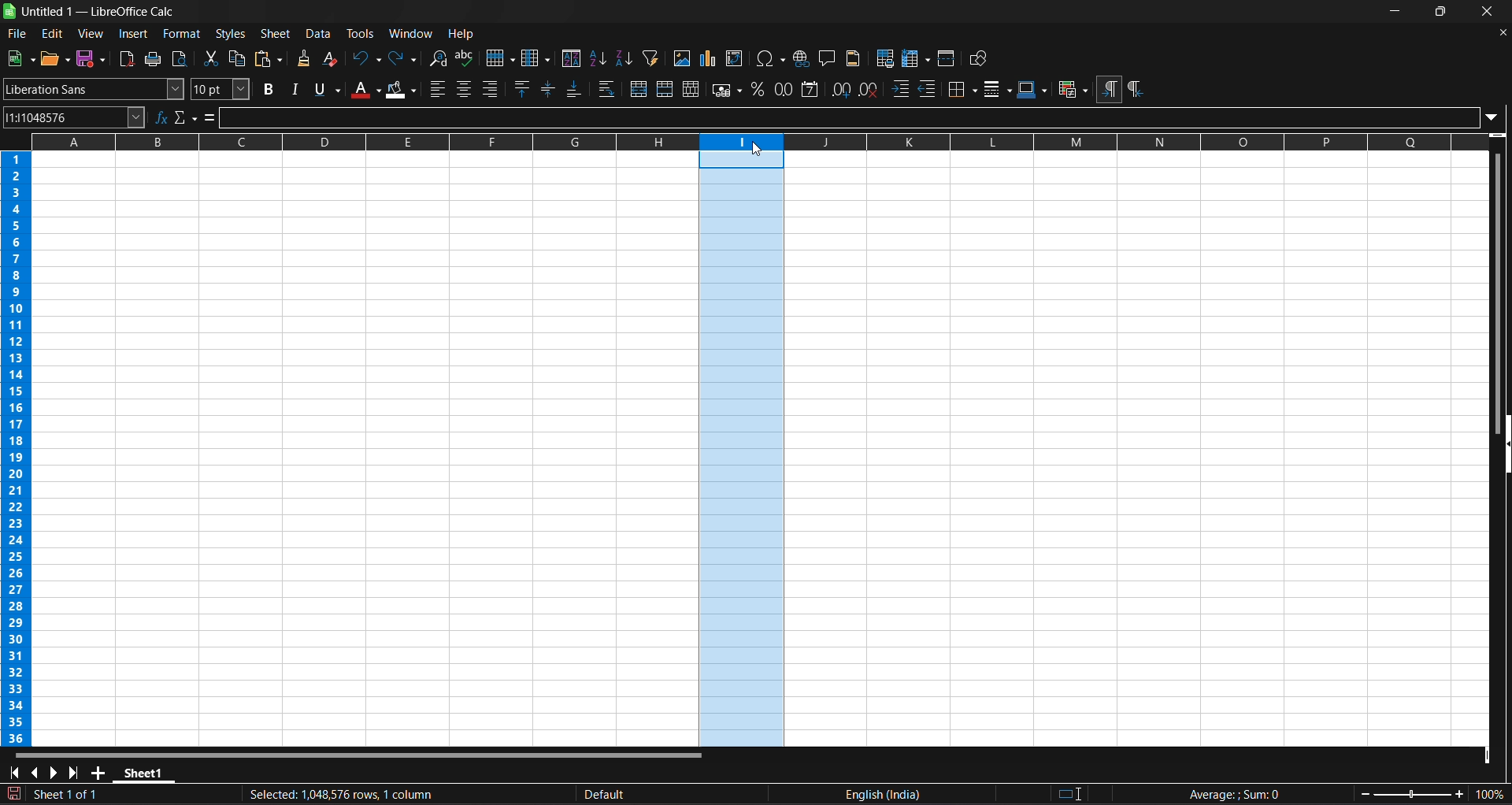 The height and width of the screenshot is (805, 1512). What do you see at coordinates (125, 59) in the screenshot?
I see `export directly as pdf` at bounding box center [125, 59].